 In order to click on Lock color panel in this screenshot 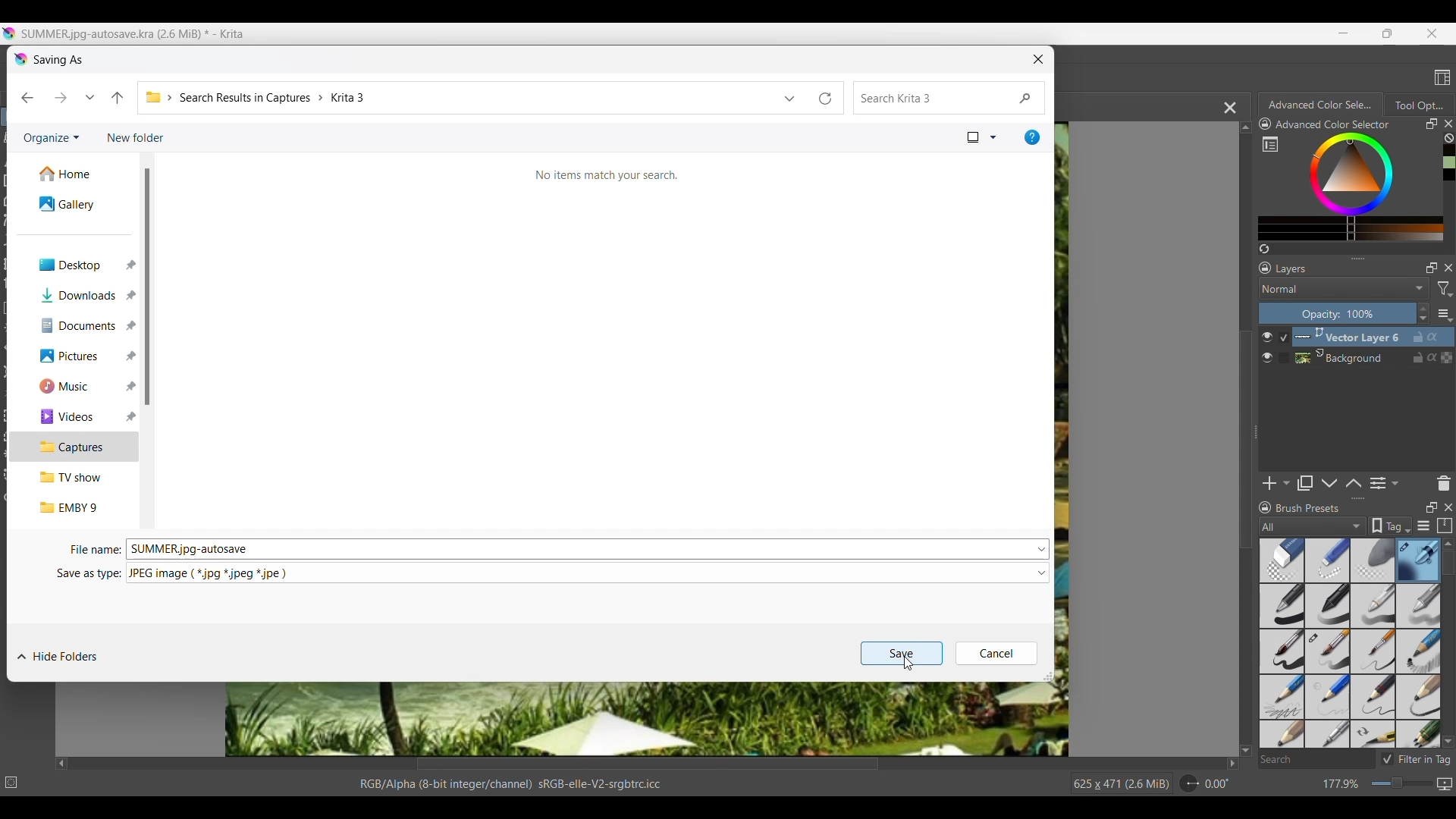, I will do `click(1265, 124)`.